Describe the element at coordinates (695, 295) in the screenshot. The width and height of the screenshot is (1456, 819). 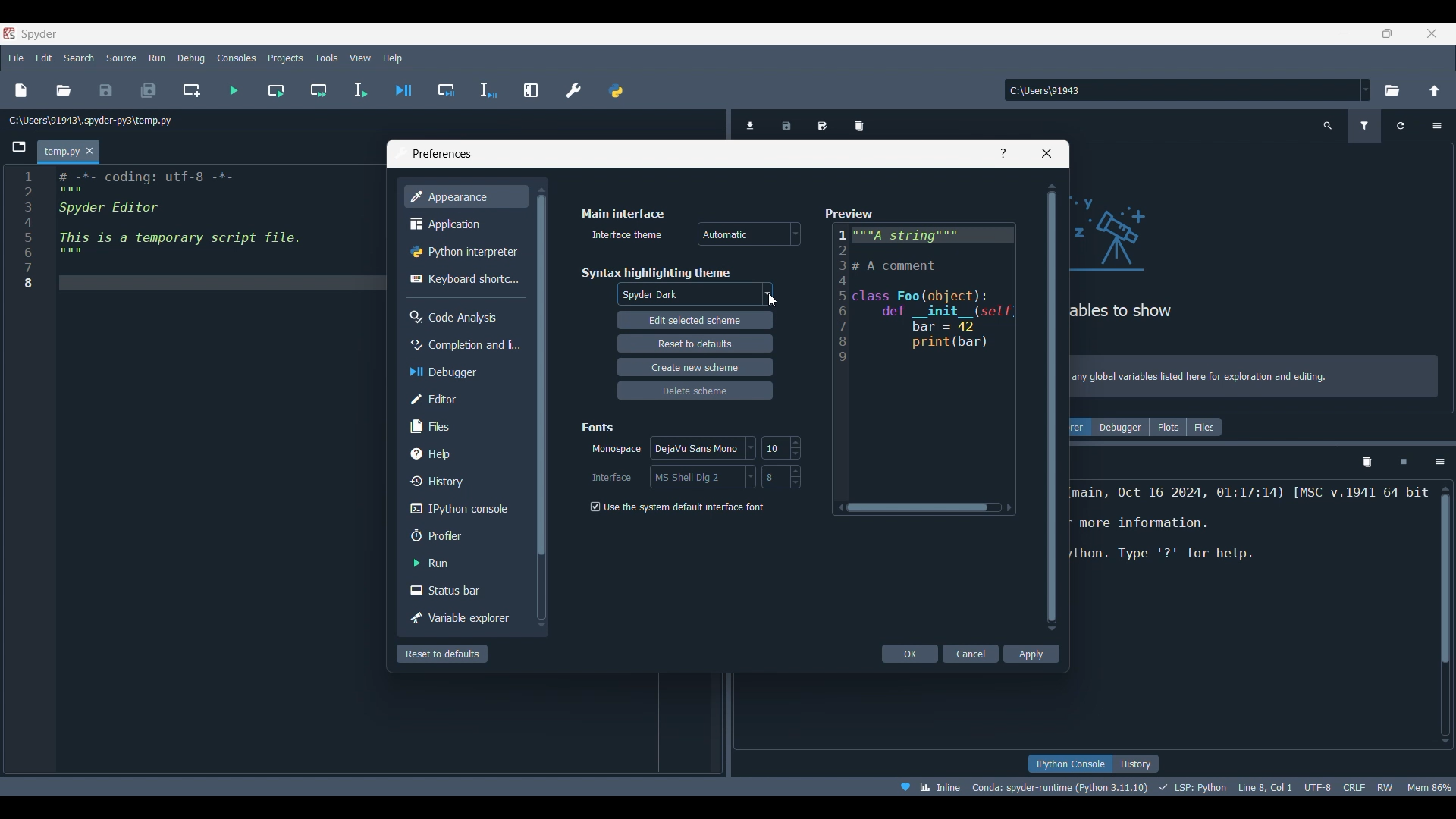
I see `Theme options` at that location.